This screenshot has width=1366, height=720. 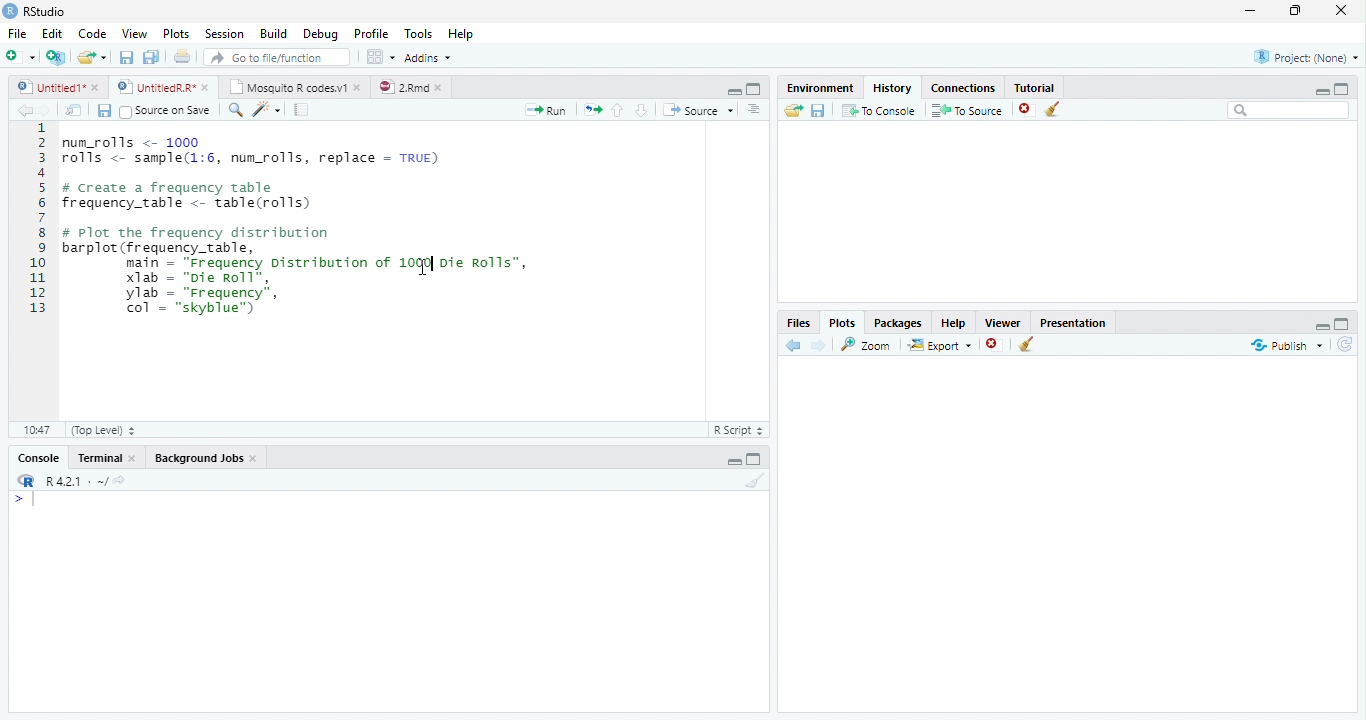 I want to click on Build, so click(x=275, y=33).